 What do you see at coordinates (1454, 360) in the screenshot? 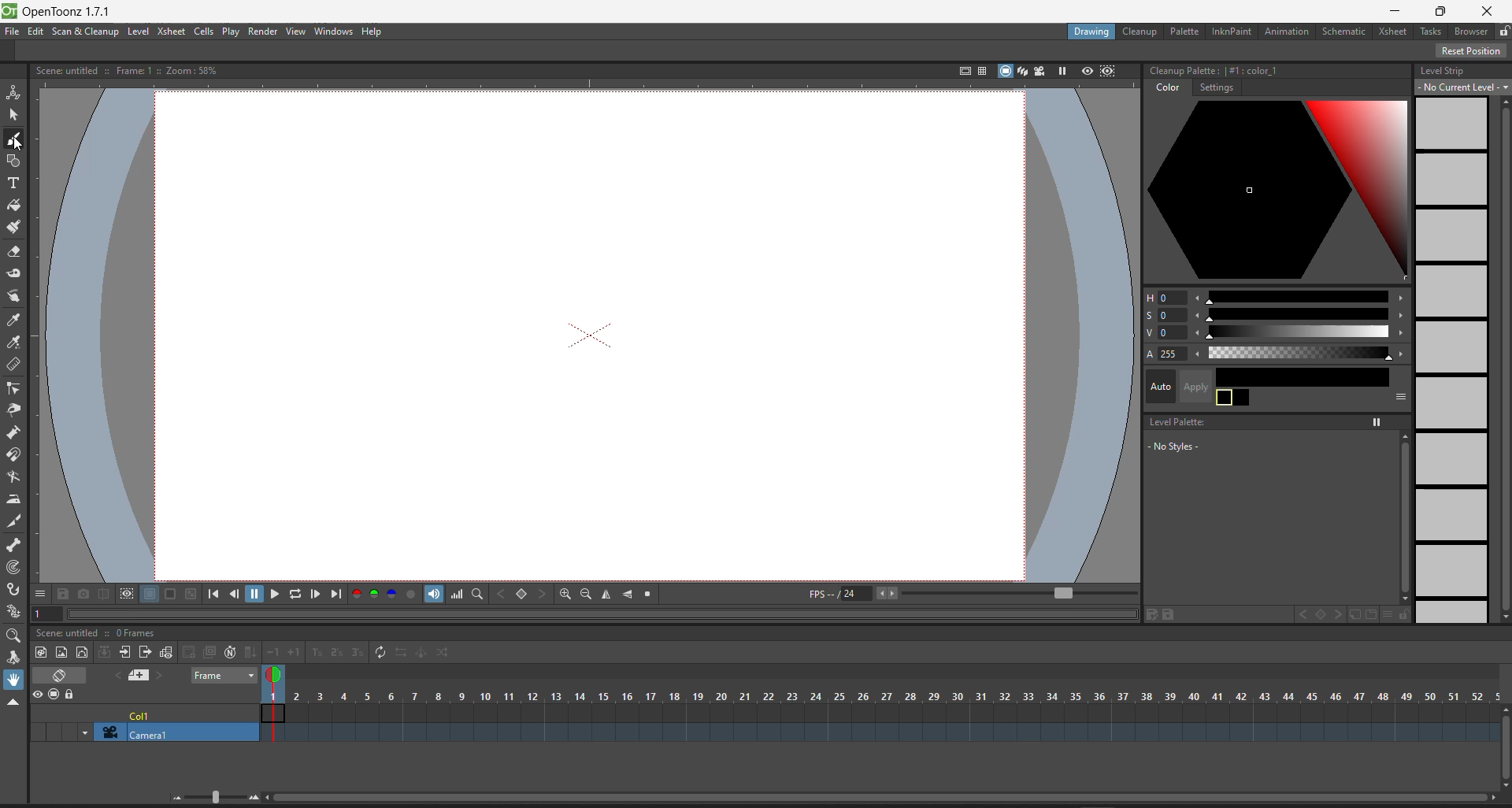
I see `level strip preview` at bounding box center [1454, 360].